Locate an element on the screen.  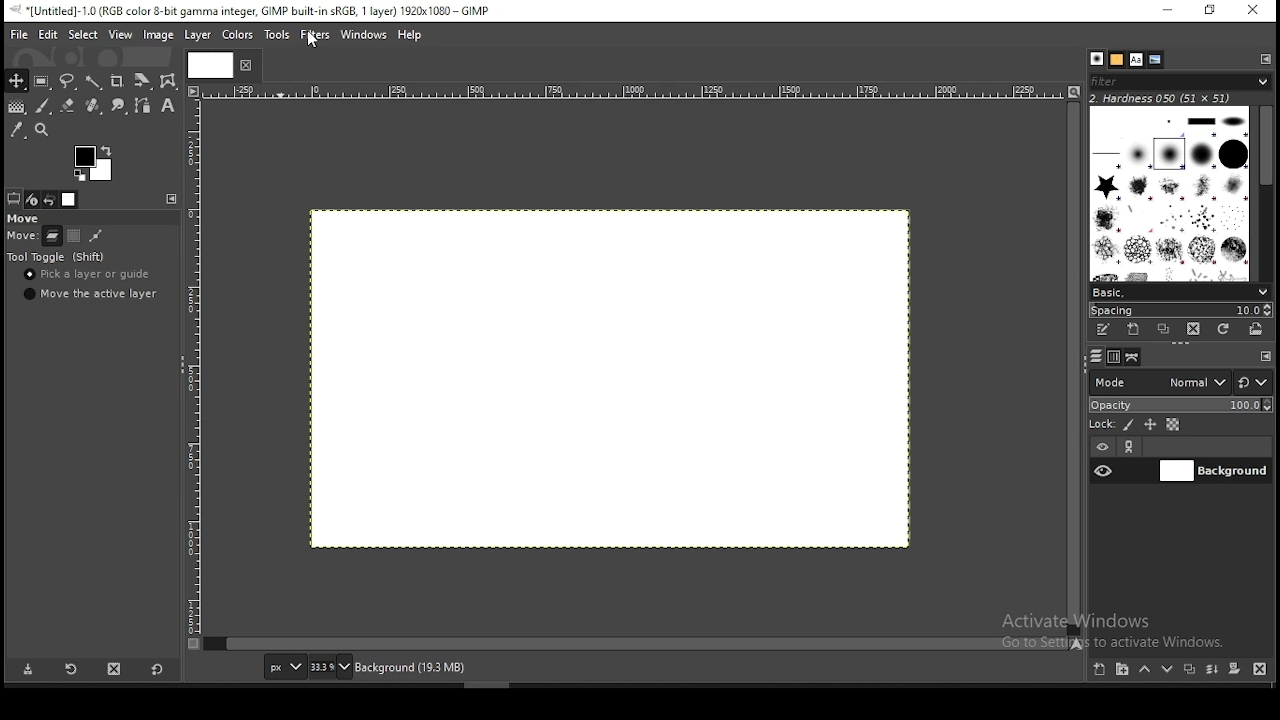
delete layer is located at coordinates (1258, 670).